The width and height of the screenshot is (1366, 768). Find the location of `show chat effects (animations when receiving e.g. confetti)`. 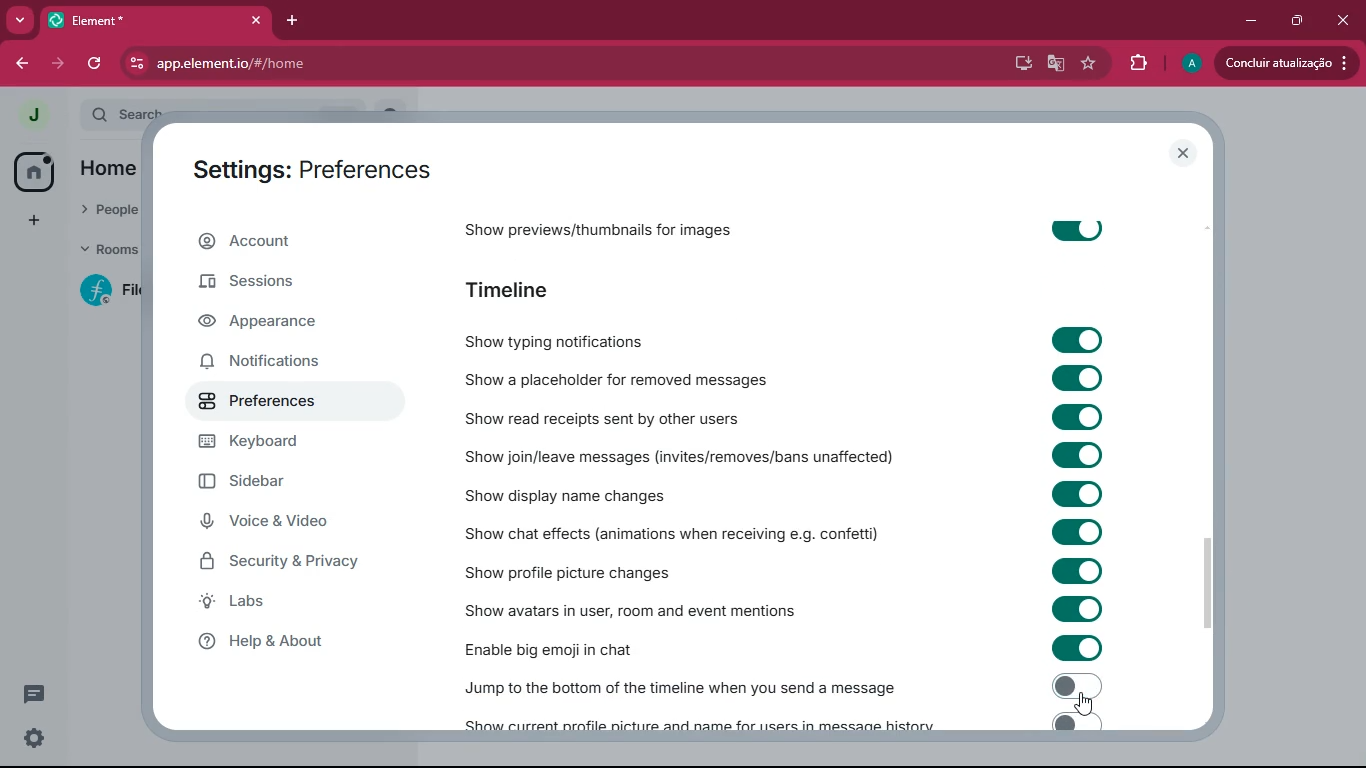

show chat effects (animations when receiving e.g. confetti) is located at coordinates (671, 533).